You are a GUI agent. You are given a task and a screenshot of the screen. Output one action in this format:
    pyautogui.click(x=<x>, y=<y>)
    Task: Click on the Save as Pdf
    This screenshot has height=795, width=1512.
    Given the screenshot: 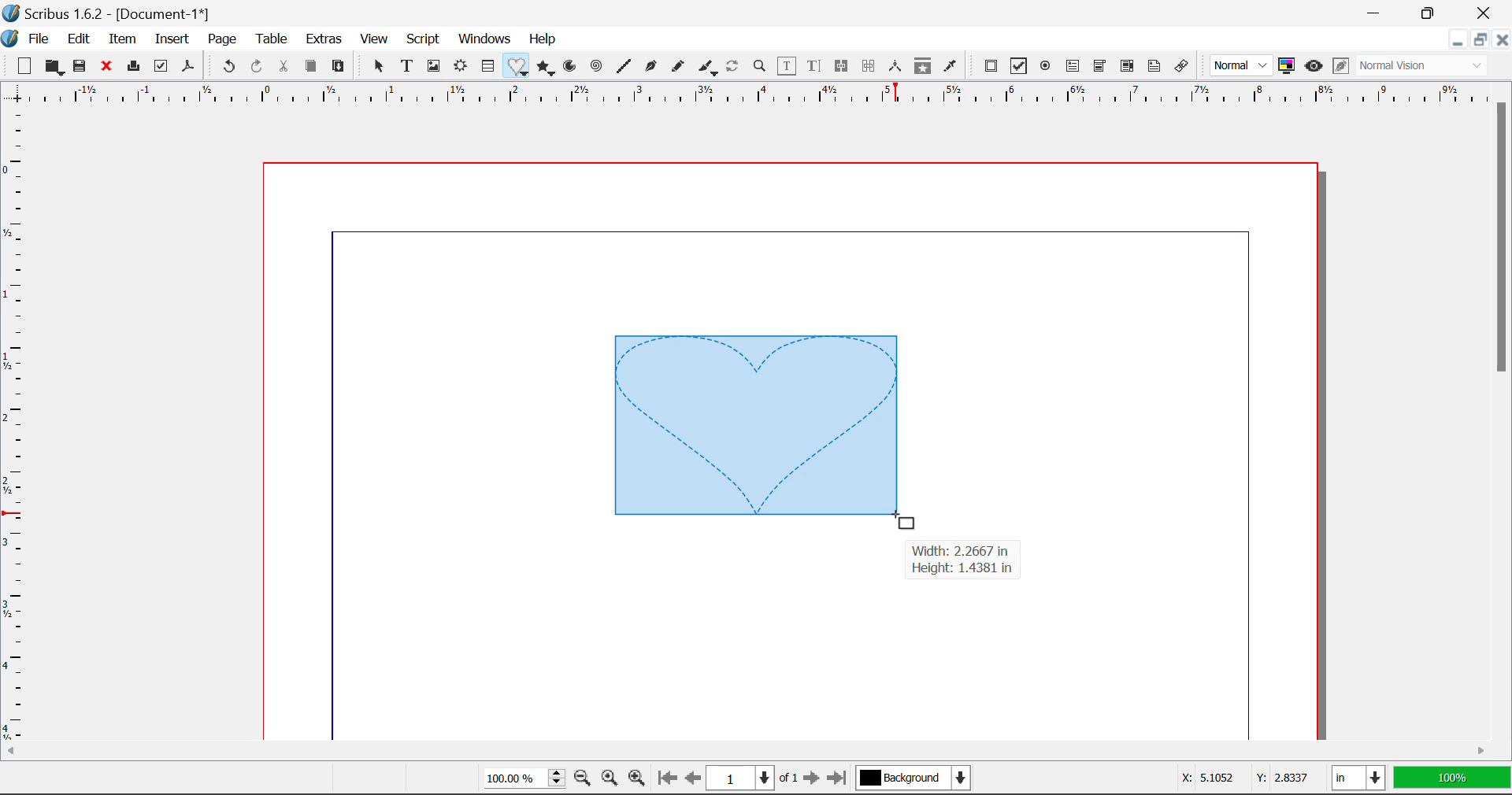 What is the action you would take?
    pyautogui.click(x=187, y=68)
    